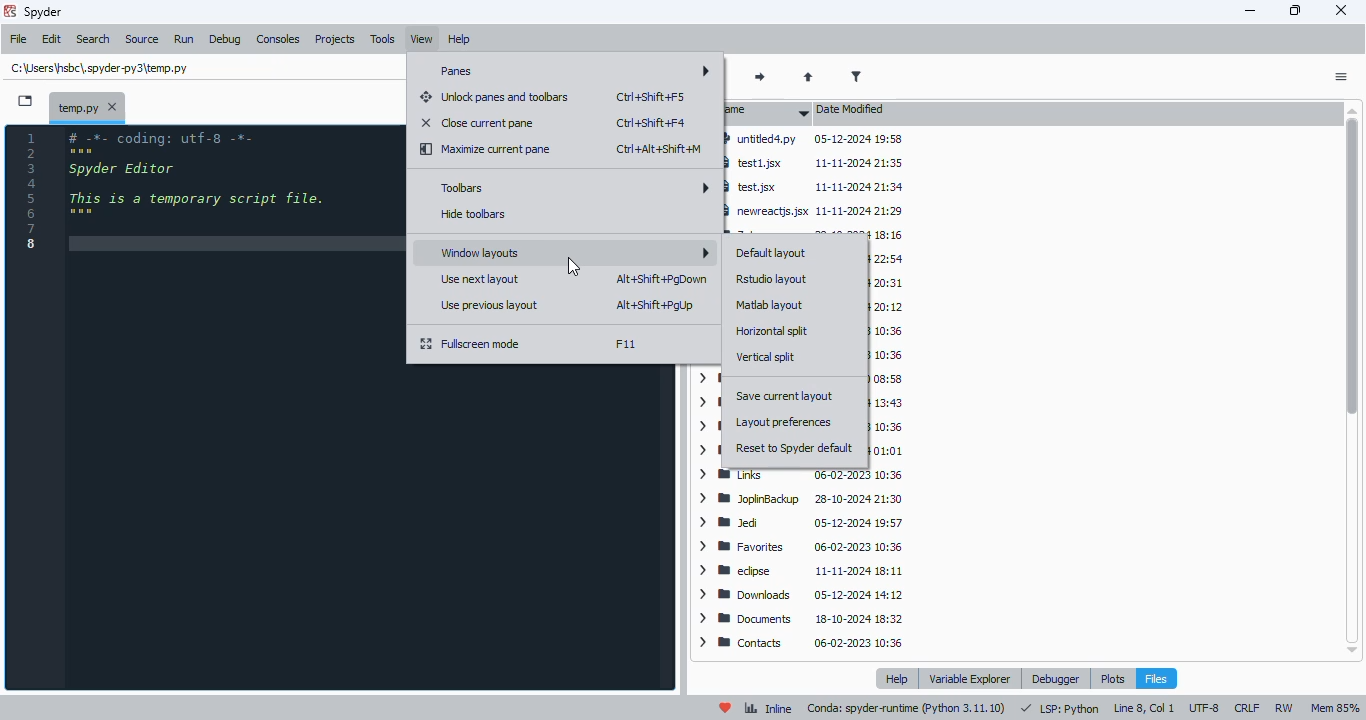  Describe the element at coordinates (1113, 677) in the screenshot. I see `plots` at that location.